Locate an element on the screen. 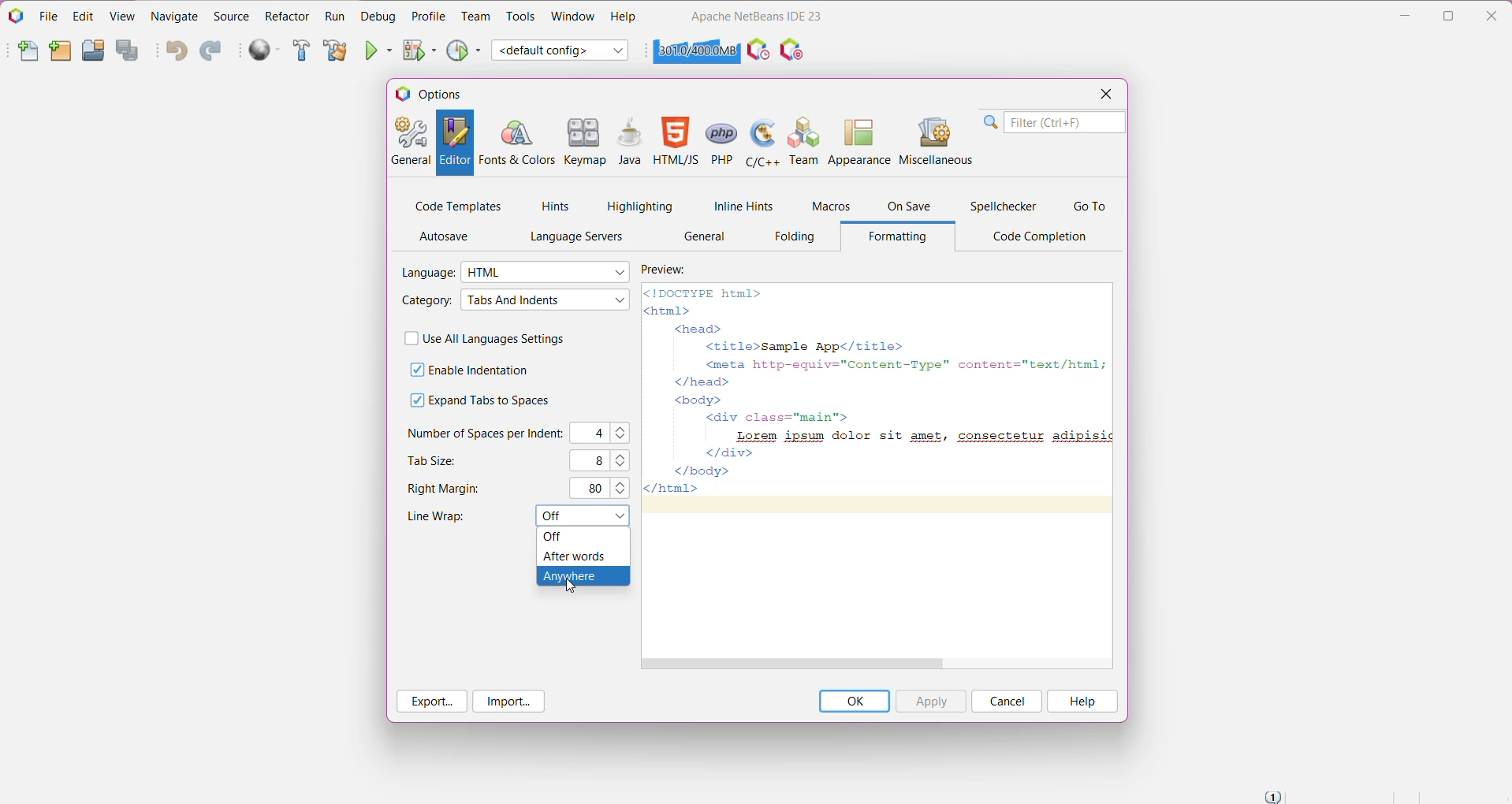 Image resolution: width=1512 pixels, height=804 pixels. Redo is located at coordinates (210, 52).